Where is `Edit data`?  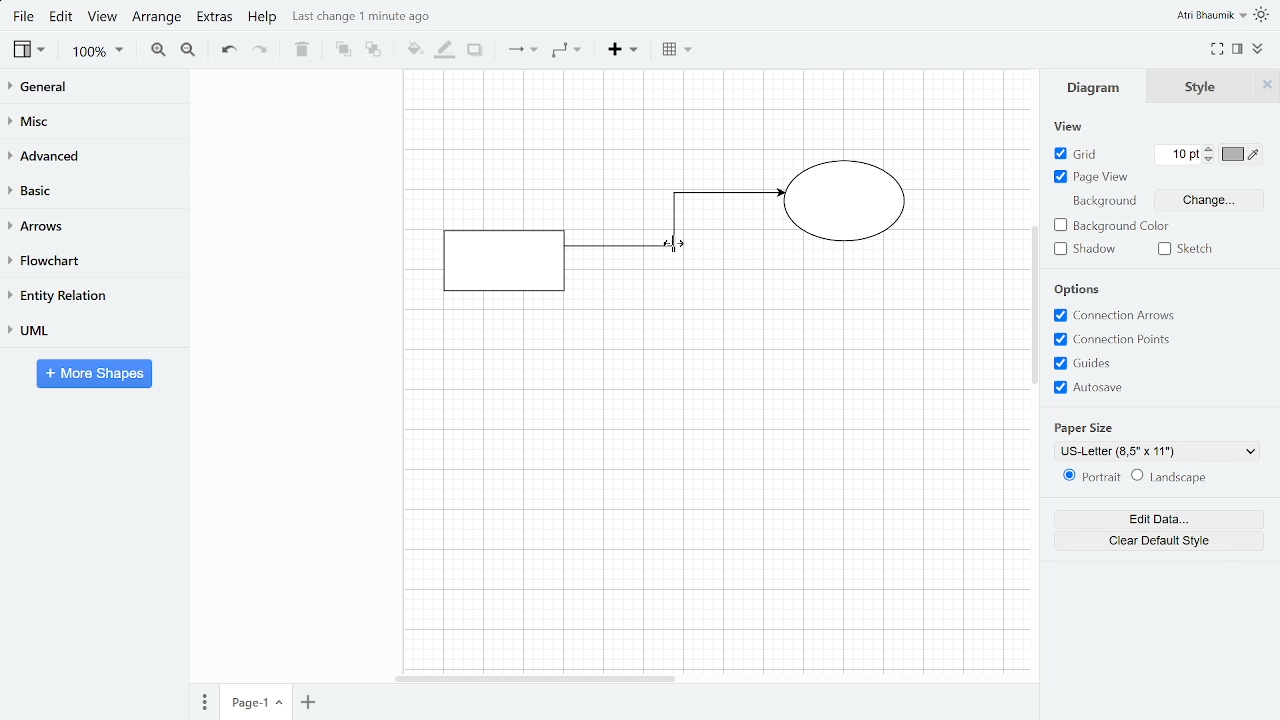
Edit data is located at coordinates (1157, 520).